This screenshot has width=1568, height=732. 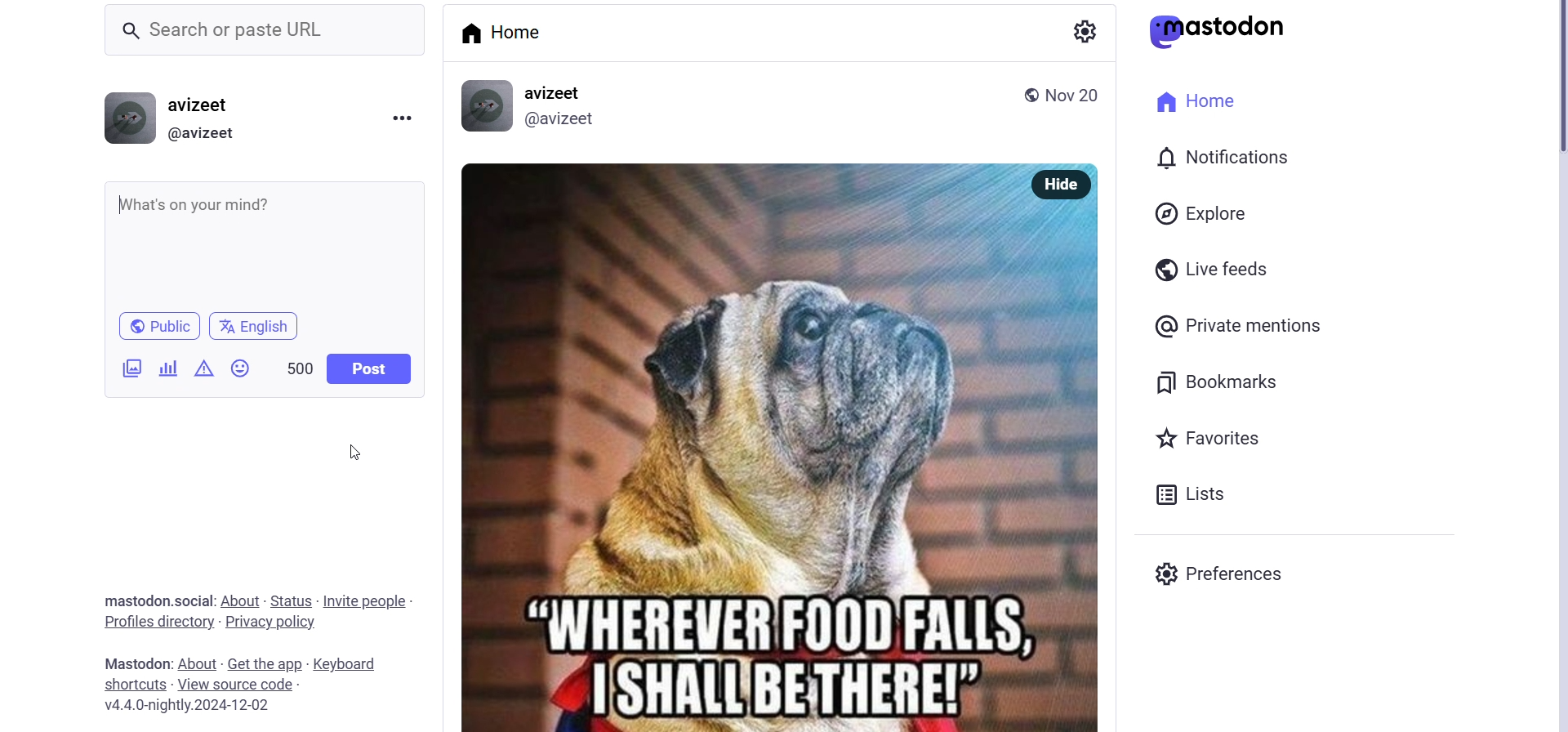 What do you see at coordinates (126, 118) in the screenshot?
I see `profile picture` at bounding box center [126, 118].